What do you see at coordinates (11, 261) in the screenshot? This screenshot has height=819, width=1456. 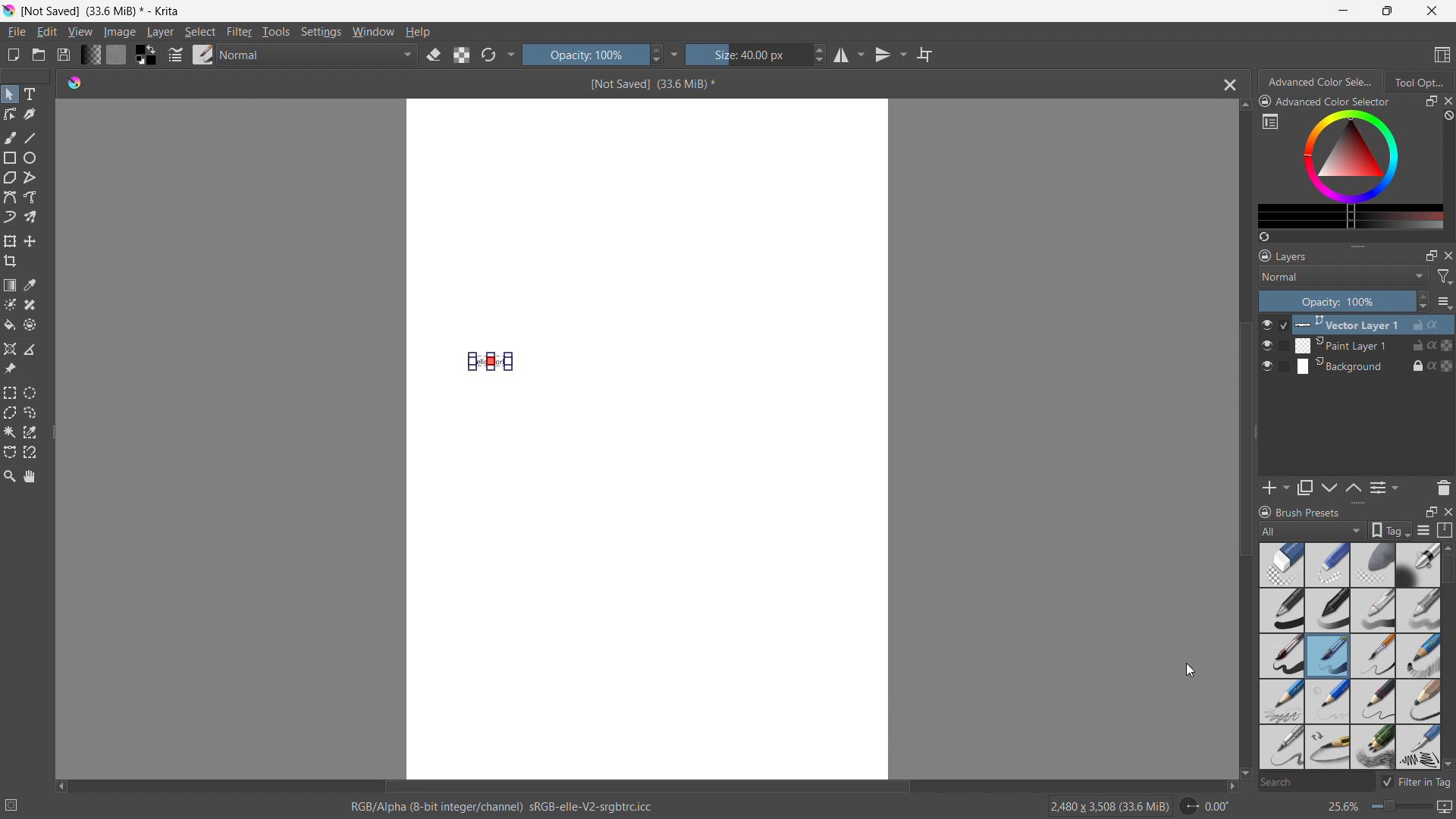 I see `crop the image to an area` at bounding box center [11, 261].